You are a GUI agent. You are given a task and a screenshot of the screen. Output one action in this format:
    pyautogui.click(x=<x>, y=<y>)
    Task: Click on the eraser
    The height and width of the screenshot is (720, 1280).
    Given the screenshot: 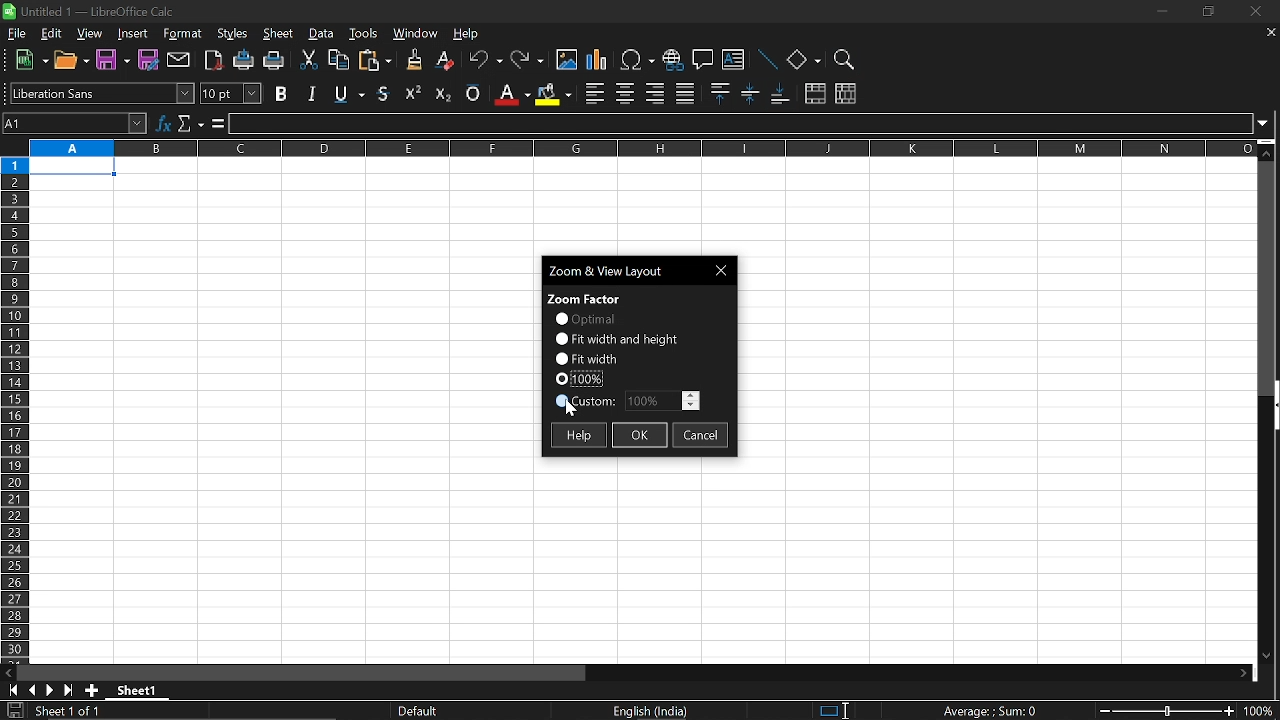 What is the action you would take?
    pyautogui.click(x=446, y=61)
    